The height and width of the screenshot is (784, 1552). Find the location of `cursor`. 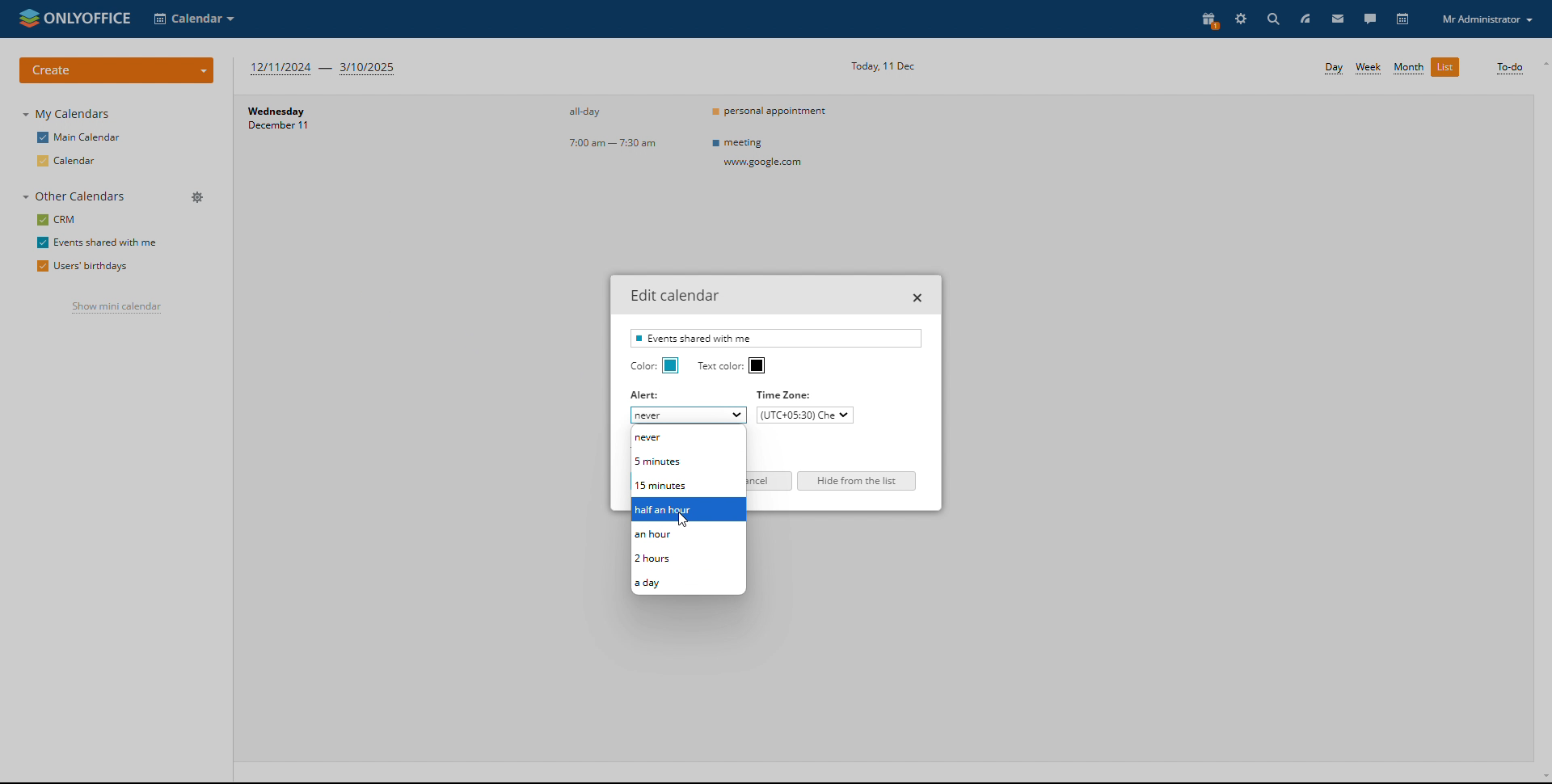

cursor is located at coordinates (688, 520).